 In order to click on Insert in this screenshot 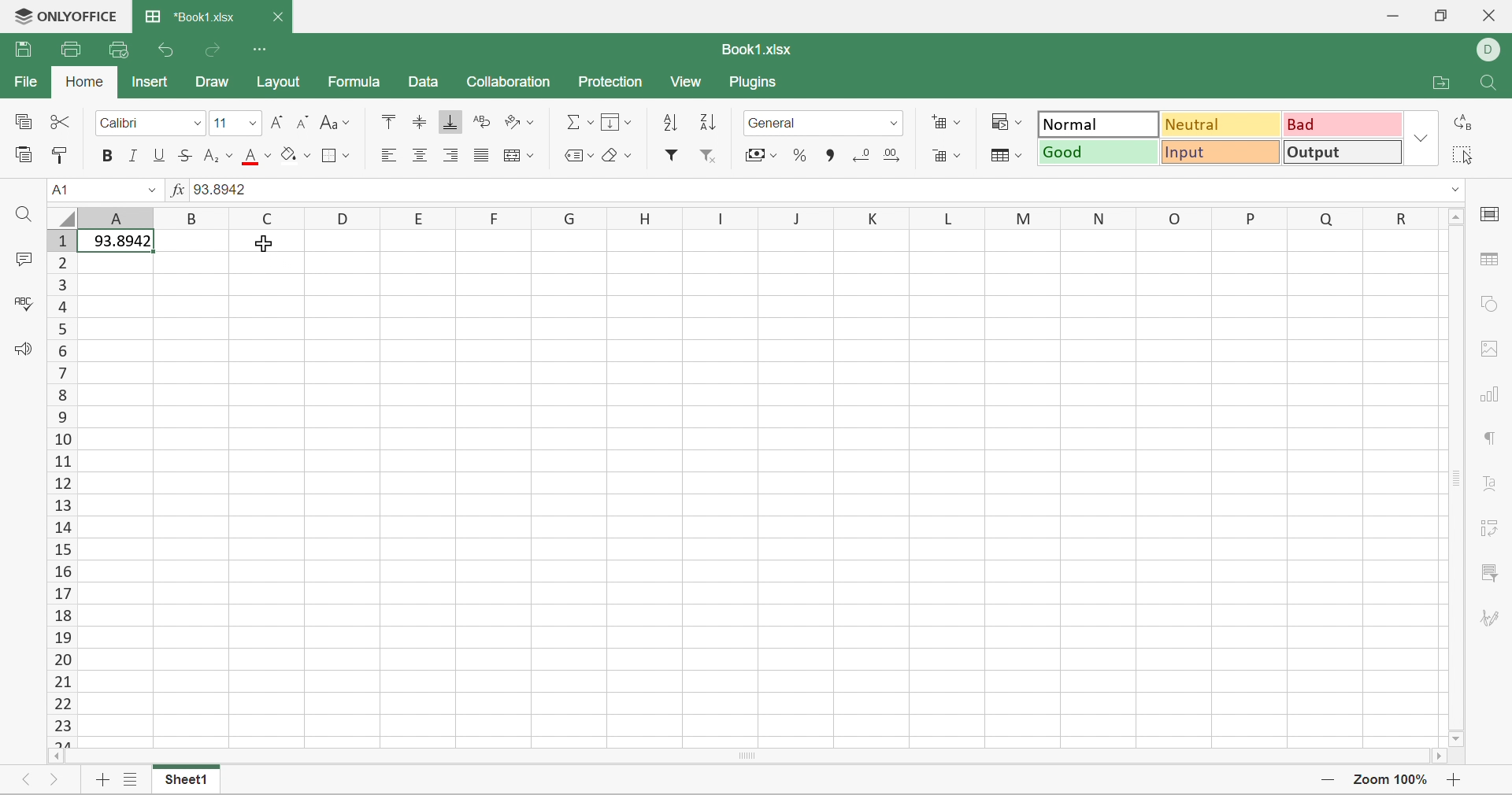, I will do `click(150, 81)`.